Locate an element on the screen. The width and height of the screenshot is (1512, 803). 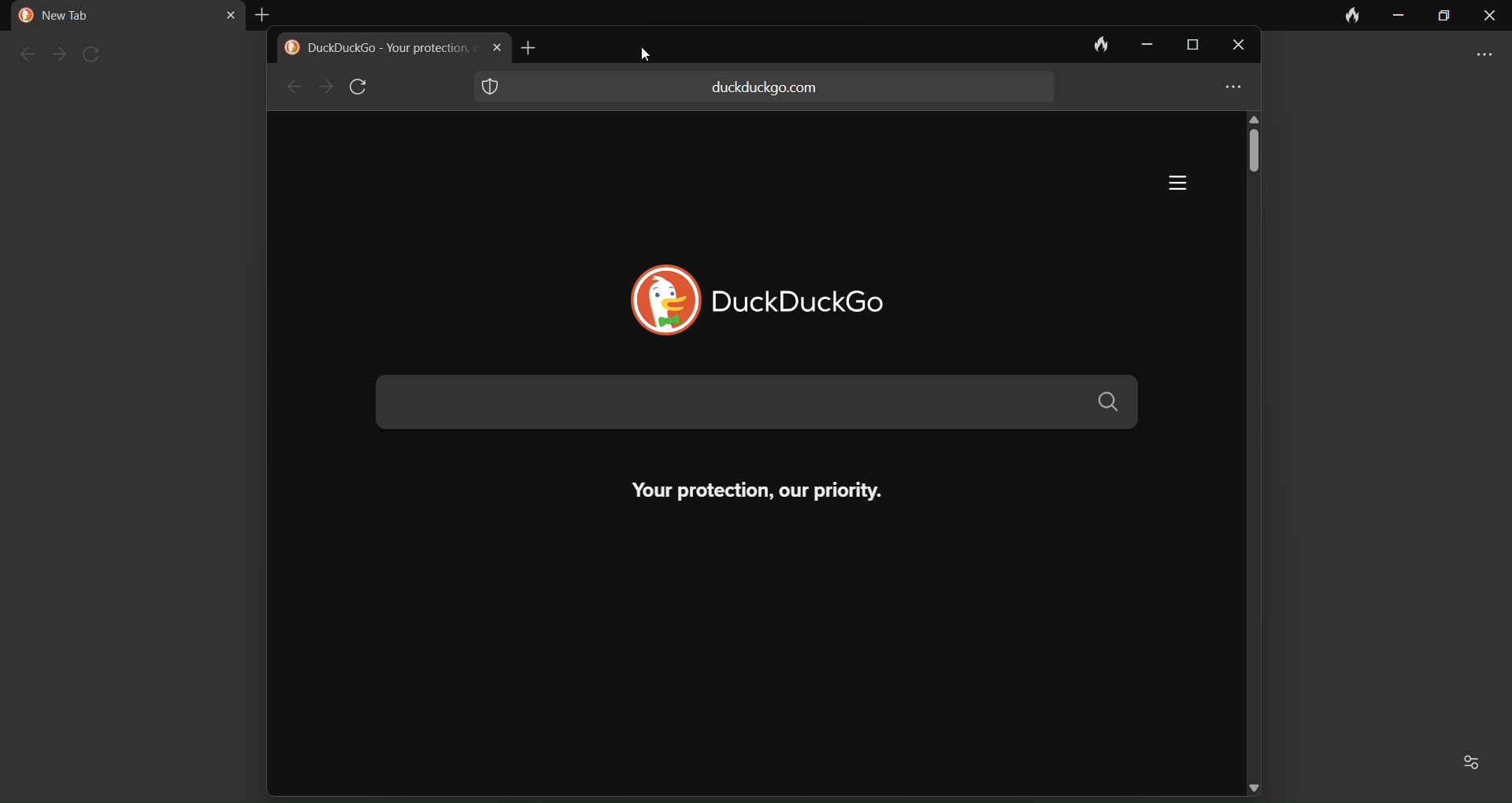
up is located at coordinates (1256, 120).